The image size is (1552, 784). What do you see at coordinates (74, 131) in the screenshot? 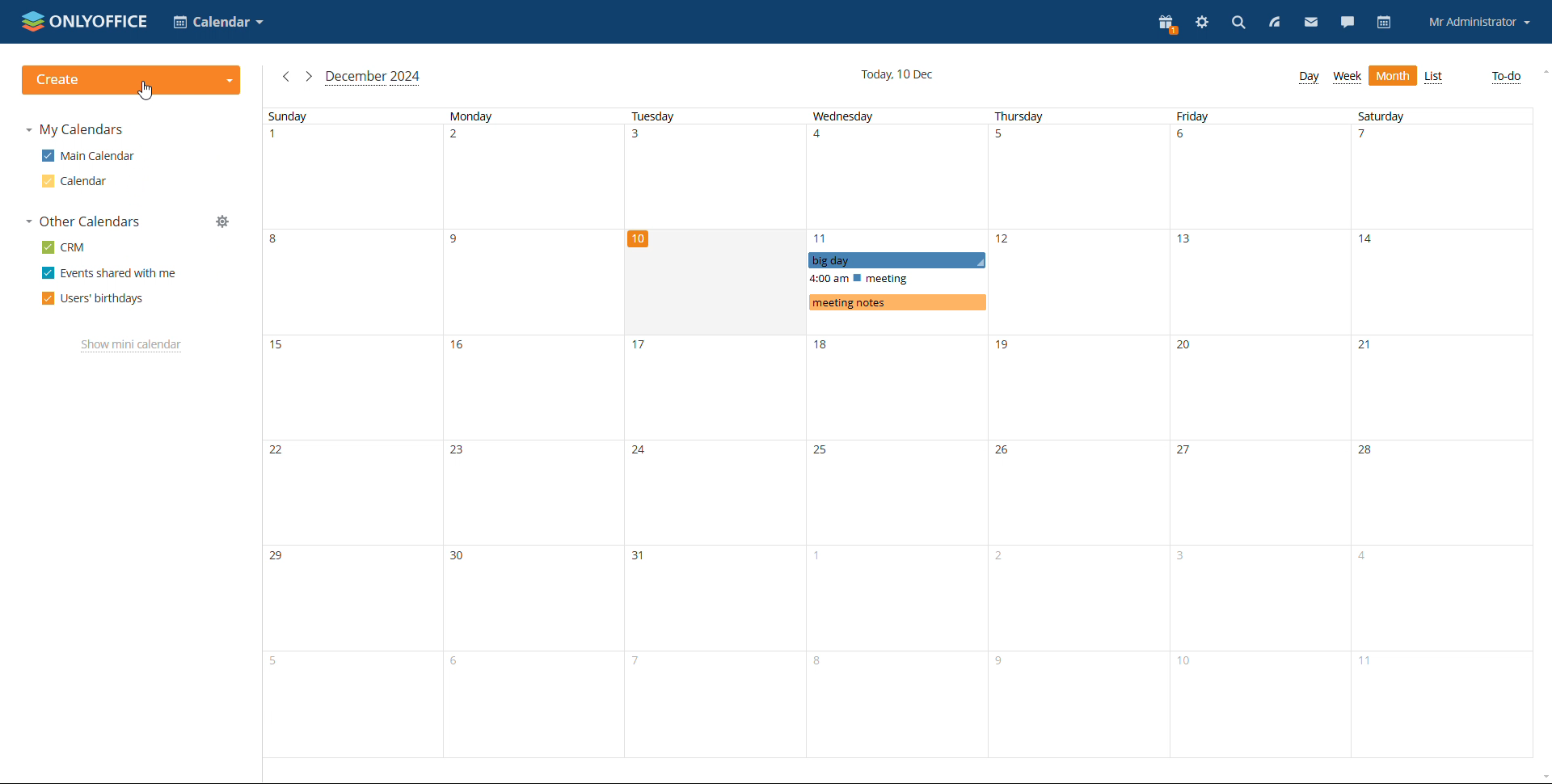
I see `my calendars` at bounding box center [74, 131].